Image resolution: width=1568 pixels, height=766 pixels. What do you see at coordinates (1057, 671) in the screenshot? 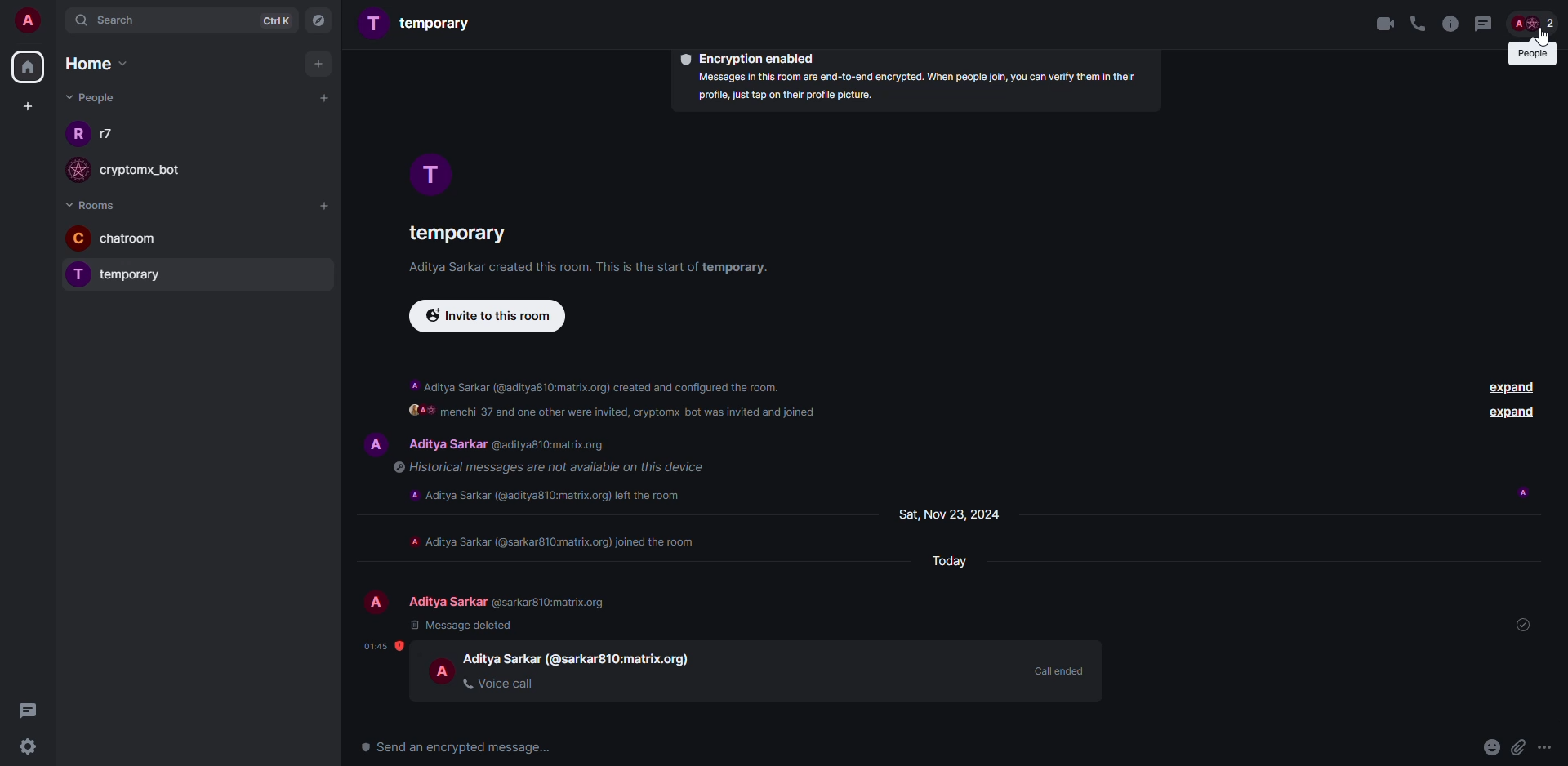
I see `call ended` at bounding box center [1057, 671].